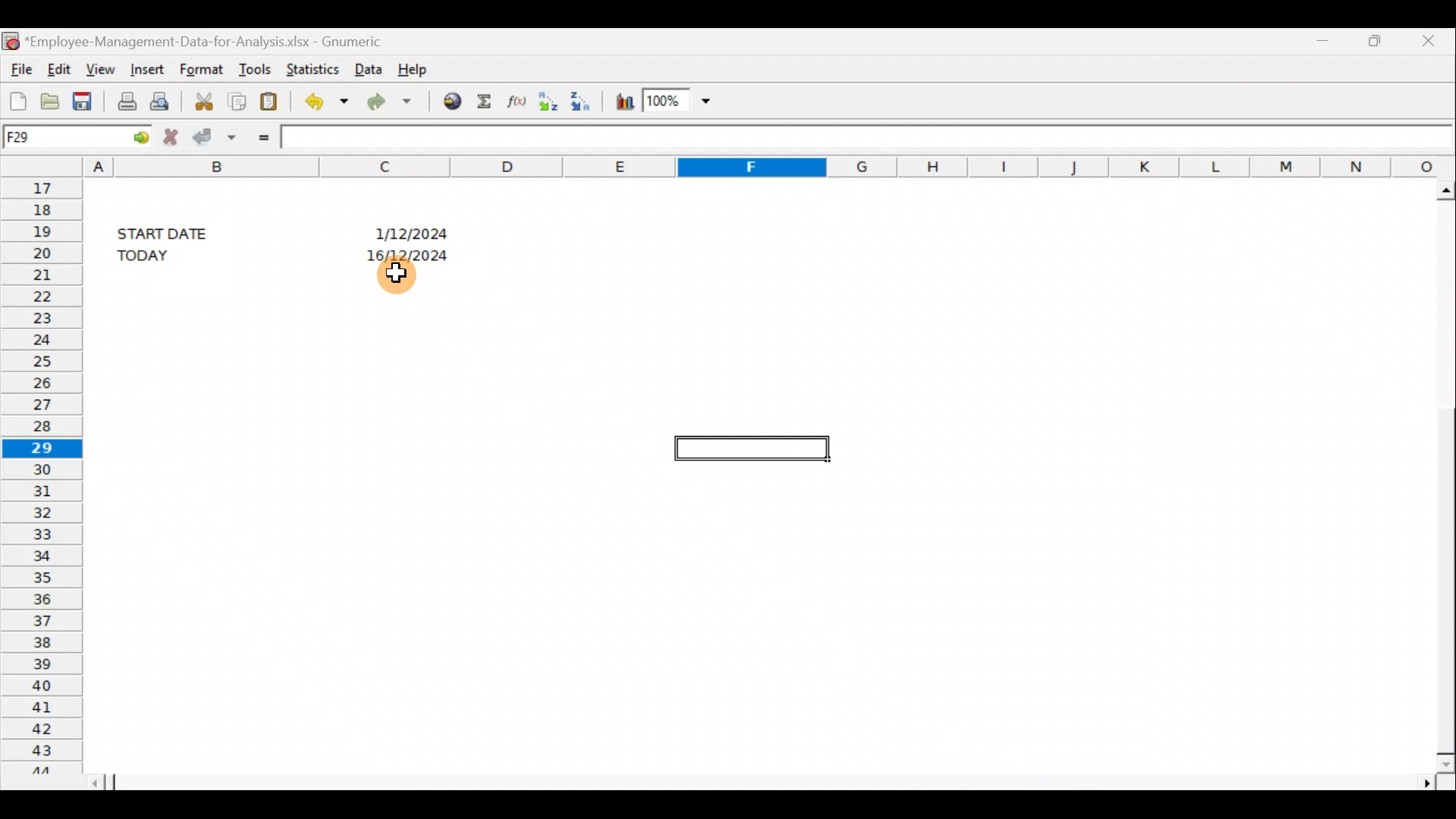 The image size is (1456, 819). Describe the element at coordinates (217, 136) in the screenshot. I see `Accept change` at that location.